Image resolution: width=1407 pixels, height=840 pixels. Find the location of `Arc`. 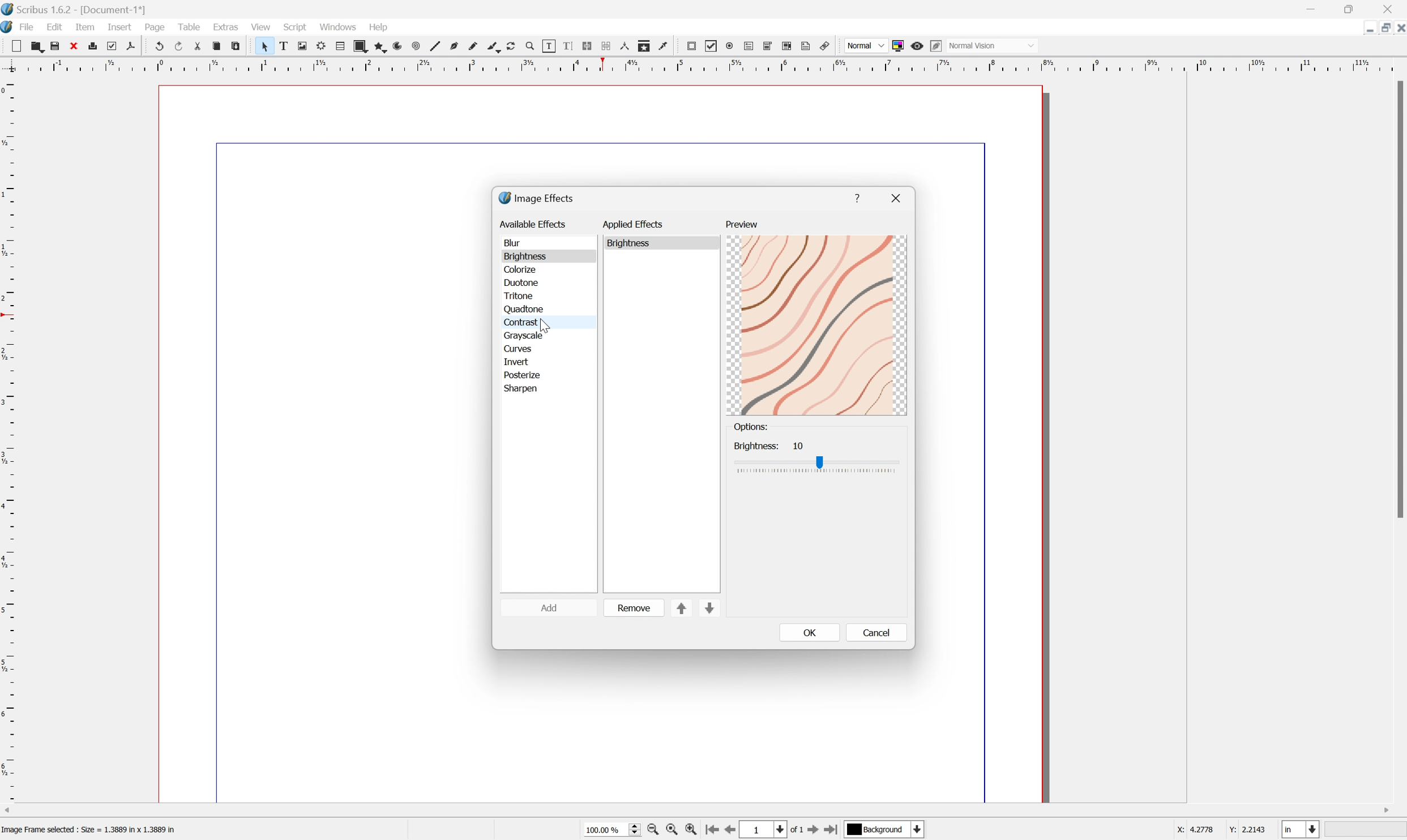

Arc is located at coordinates (400, 46).